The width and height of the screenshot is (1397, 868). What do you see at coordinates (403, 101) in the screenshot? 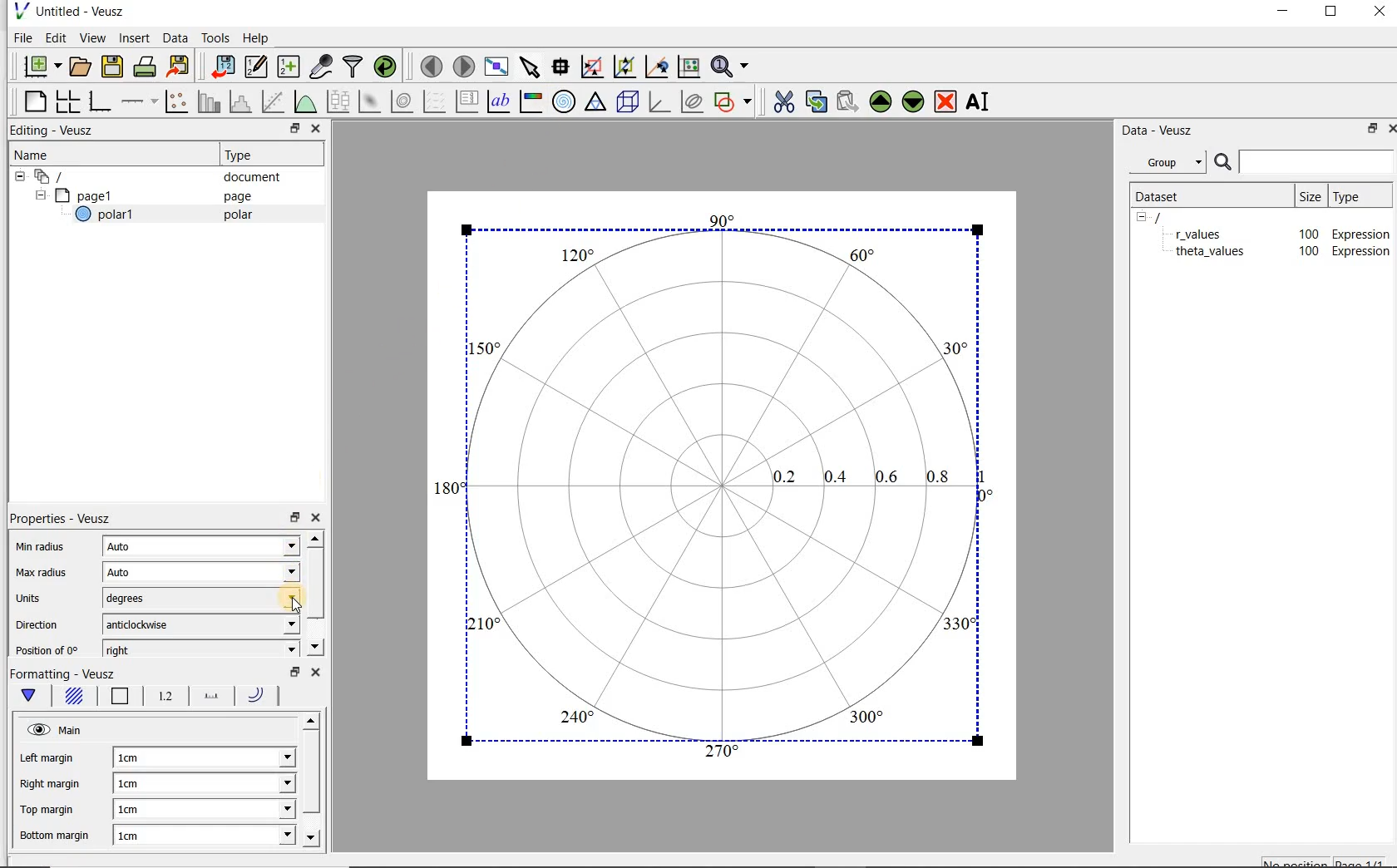
I see `plot a 2d dataset as contours` at bounding box center [403, 101].